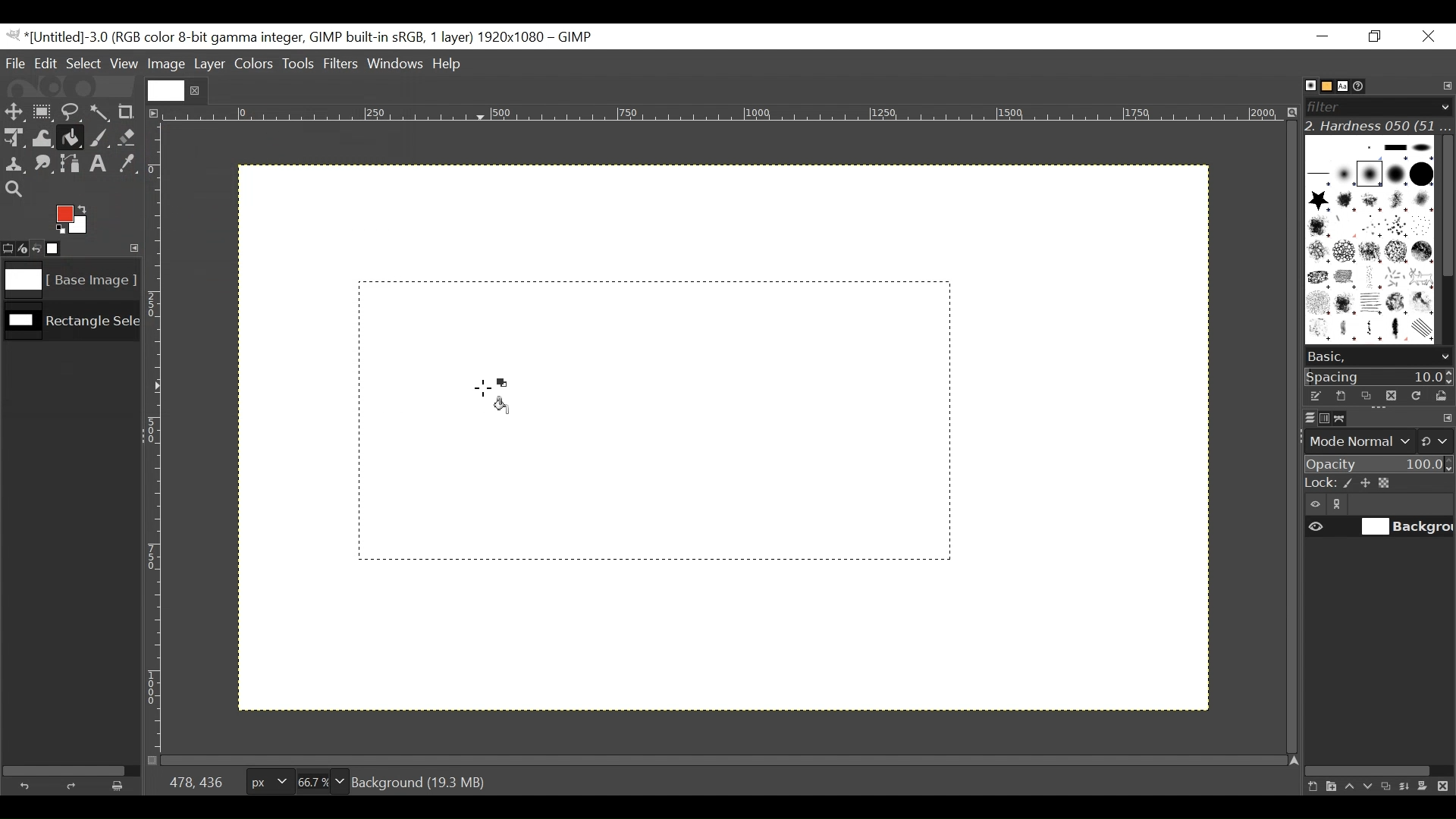 This screenshot has height=819, width=1456. Describe the element at coordinates (1321, 417) in the screenshot. I see `Channels` at that location.